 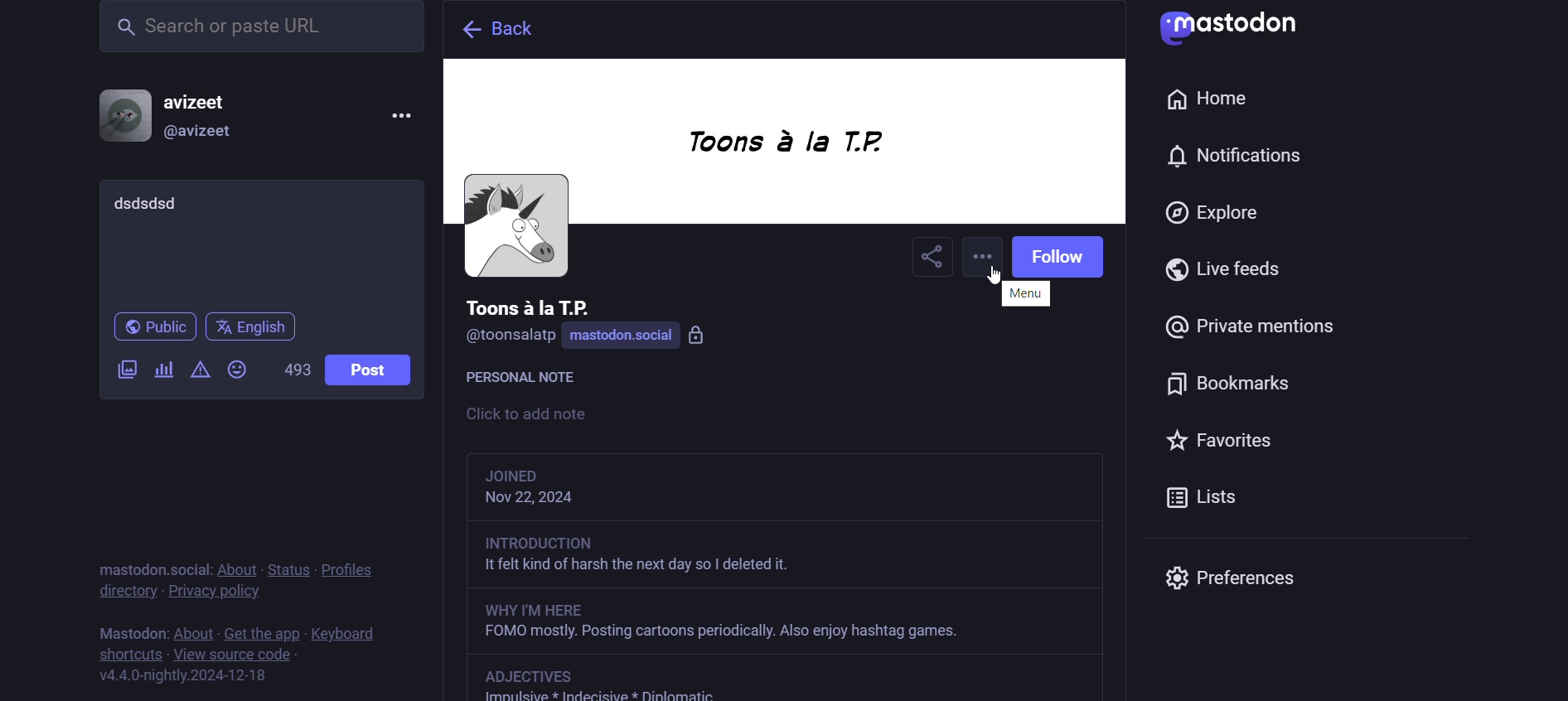 I want to click on live feeds, so click(x=1232, y=277).